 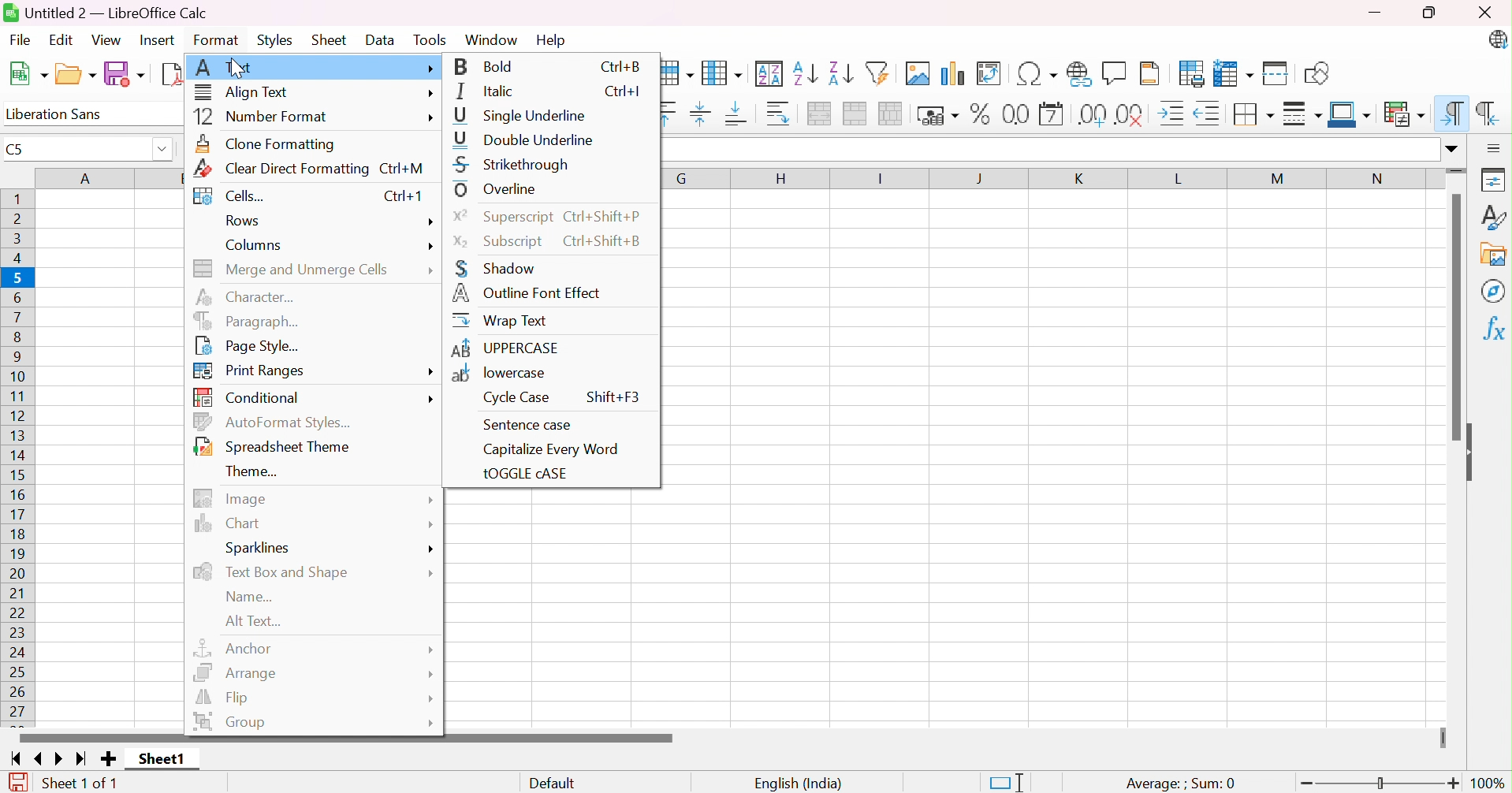 I want to click on Bold, so click(x=487, y=65).